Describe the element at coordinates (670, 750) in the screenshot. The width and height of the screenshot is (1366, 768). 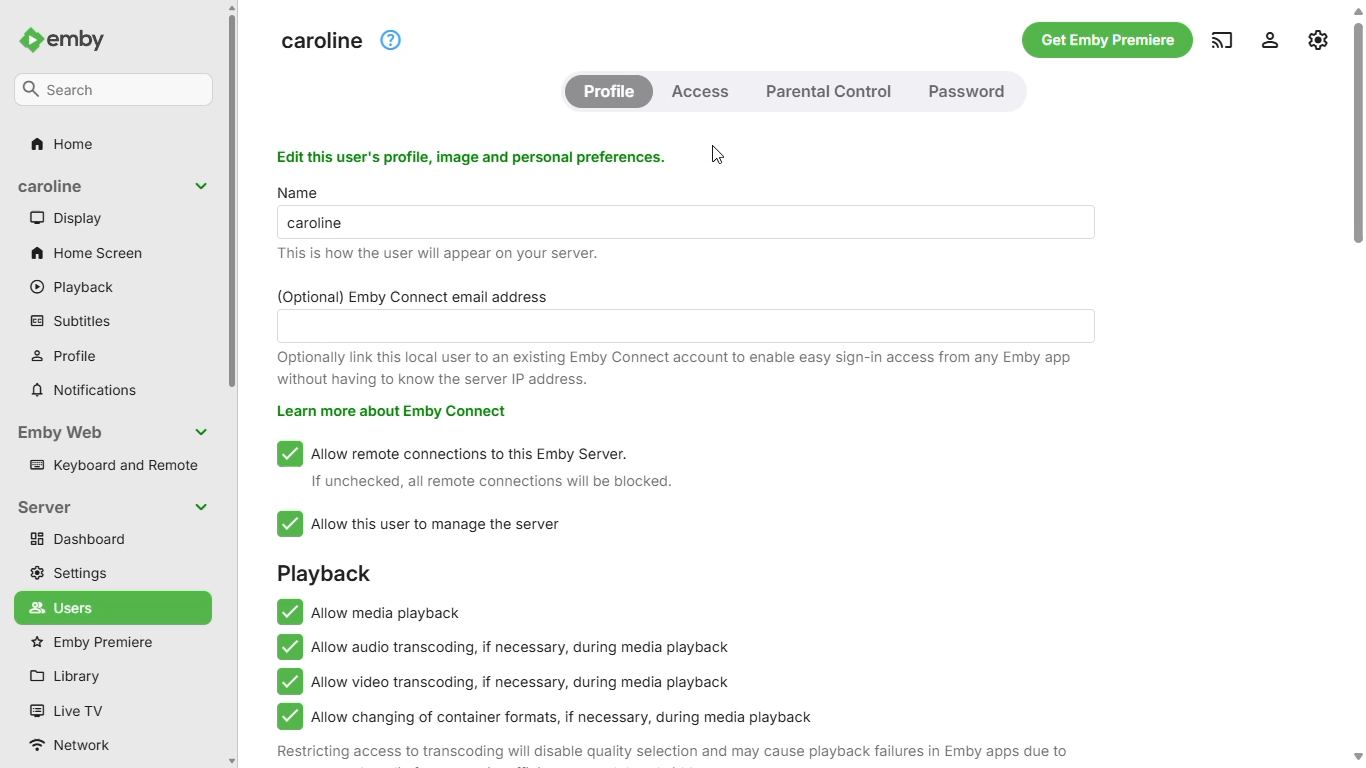
I see `restricting access to transcoding will disable quality selection and may cause playback failures in emby apps due to` at that location.